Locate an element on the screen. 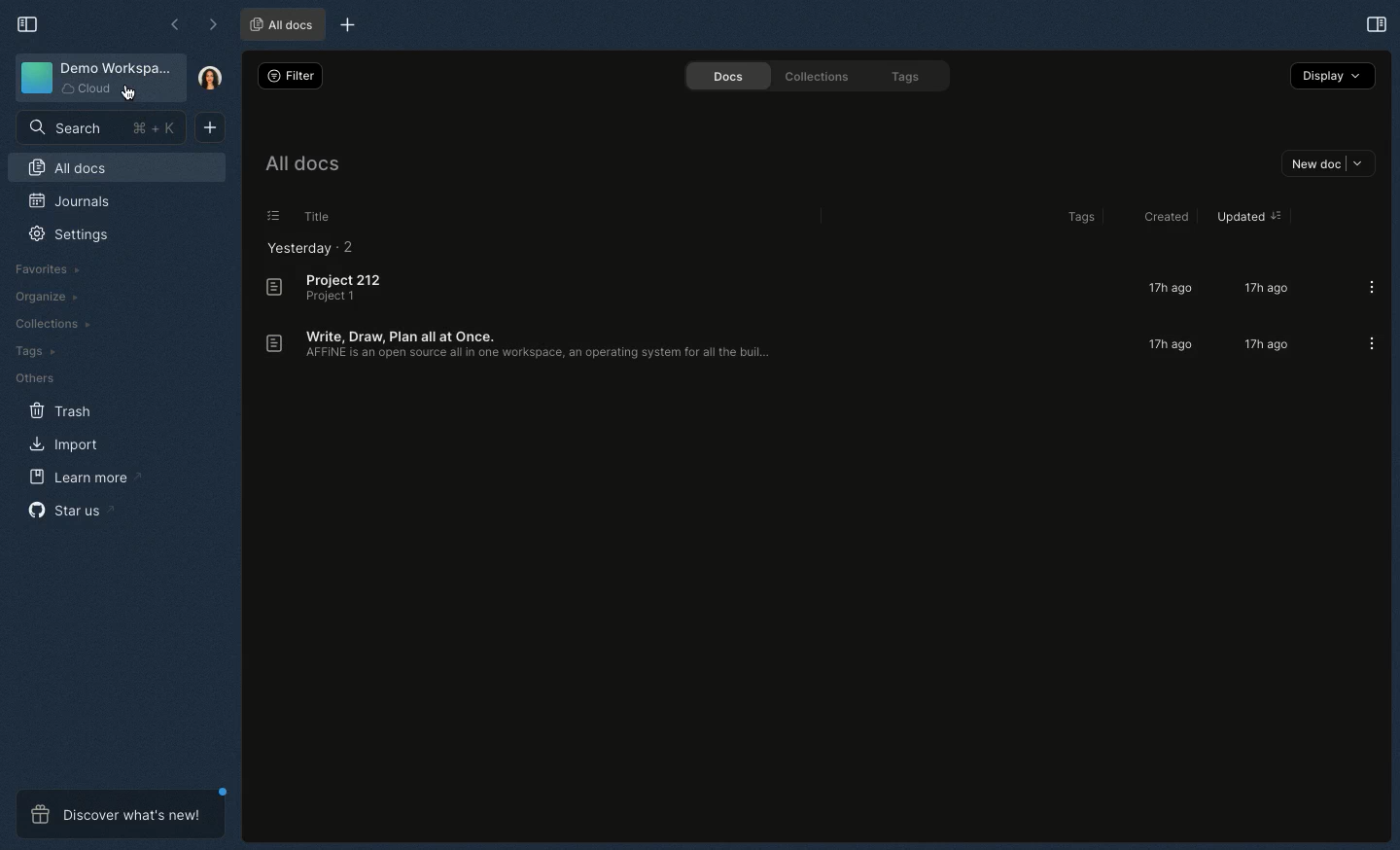  Settings is located at coordinates (71, 233).